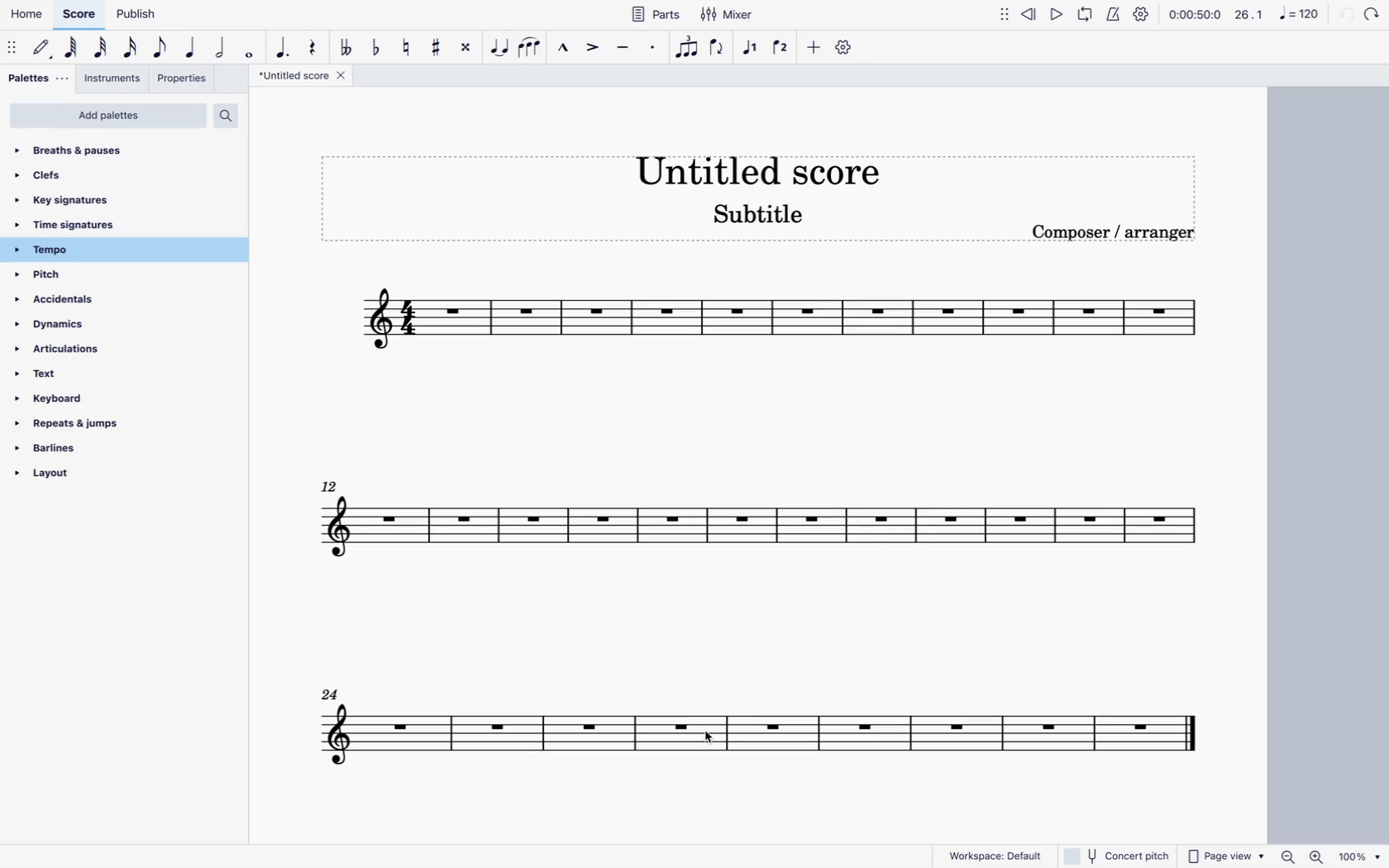 The width and height of the screenshot is (1389, 868). I want to click on score title, so click(754, 164).